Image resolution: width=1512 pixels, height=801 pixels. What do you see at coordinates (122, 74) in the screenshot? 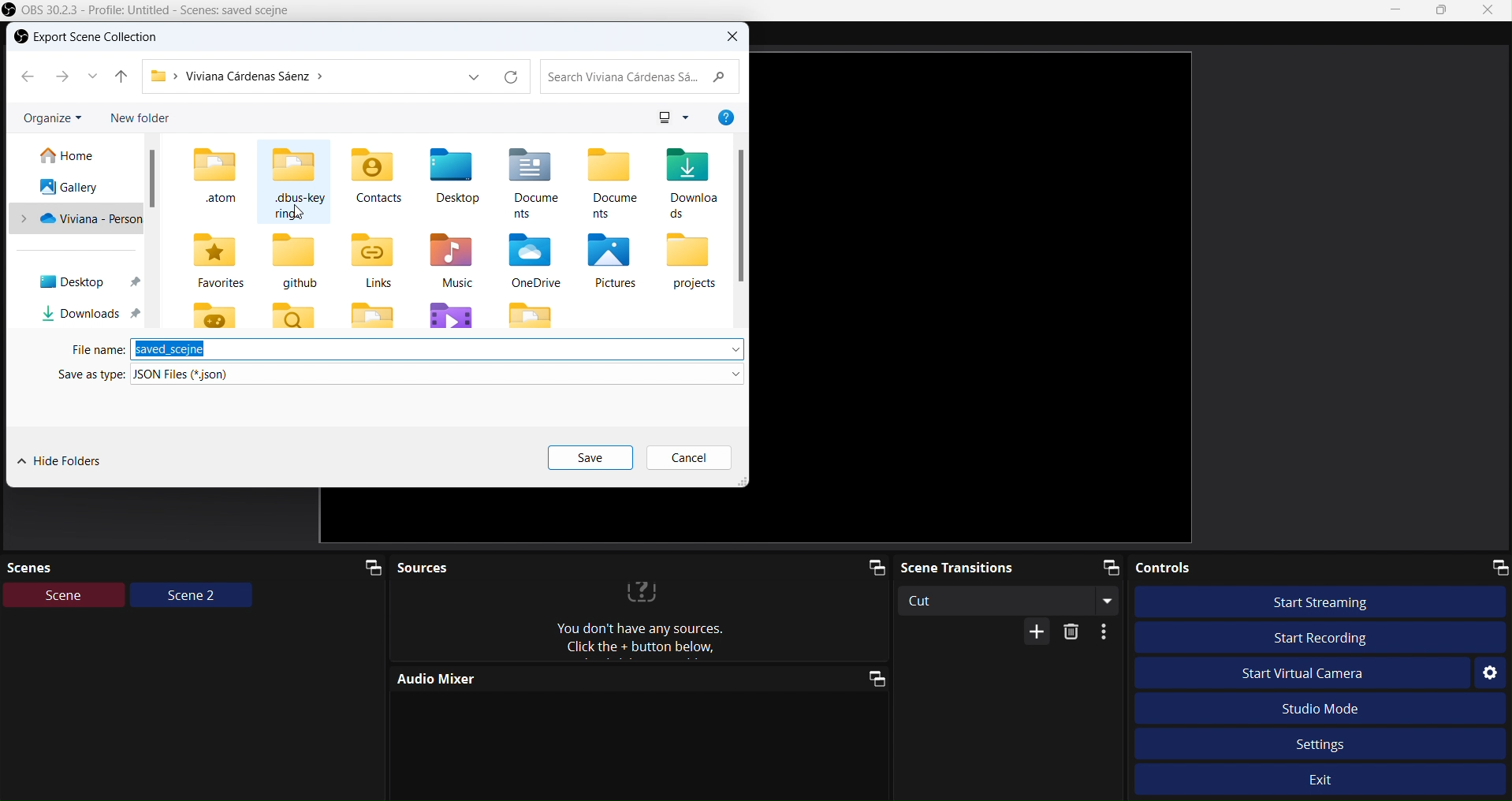
I see `Up` at bounding box center [122, 74].